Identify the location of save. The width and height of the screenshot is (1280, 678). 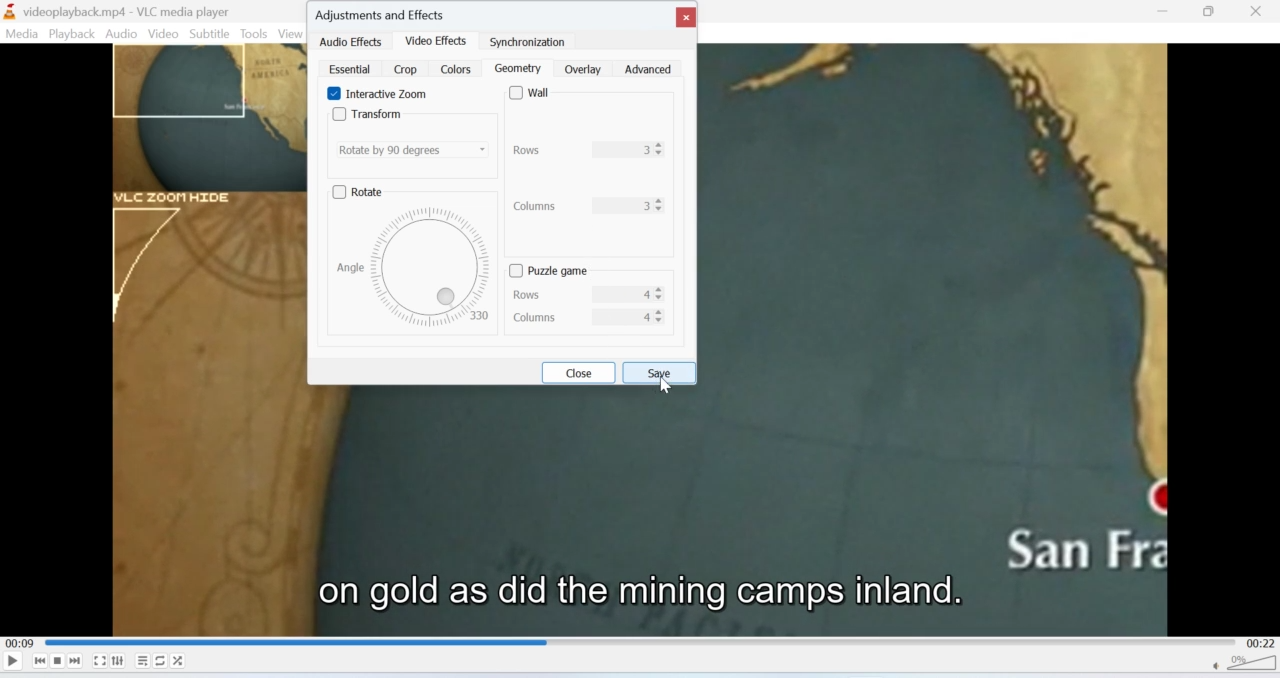
(660, 373).